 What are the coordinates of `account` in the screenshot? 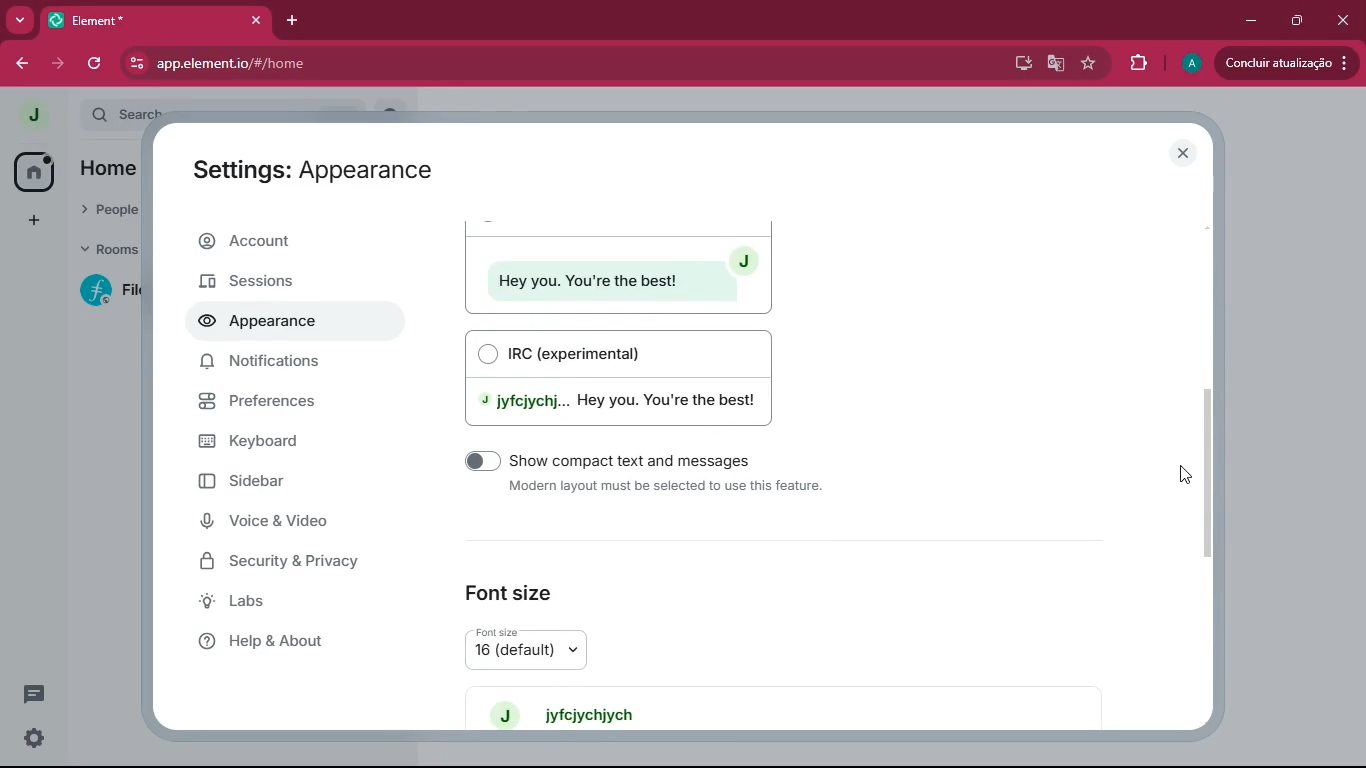 It's located at (294, 244).